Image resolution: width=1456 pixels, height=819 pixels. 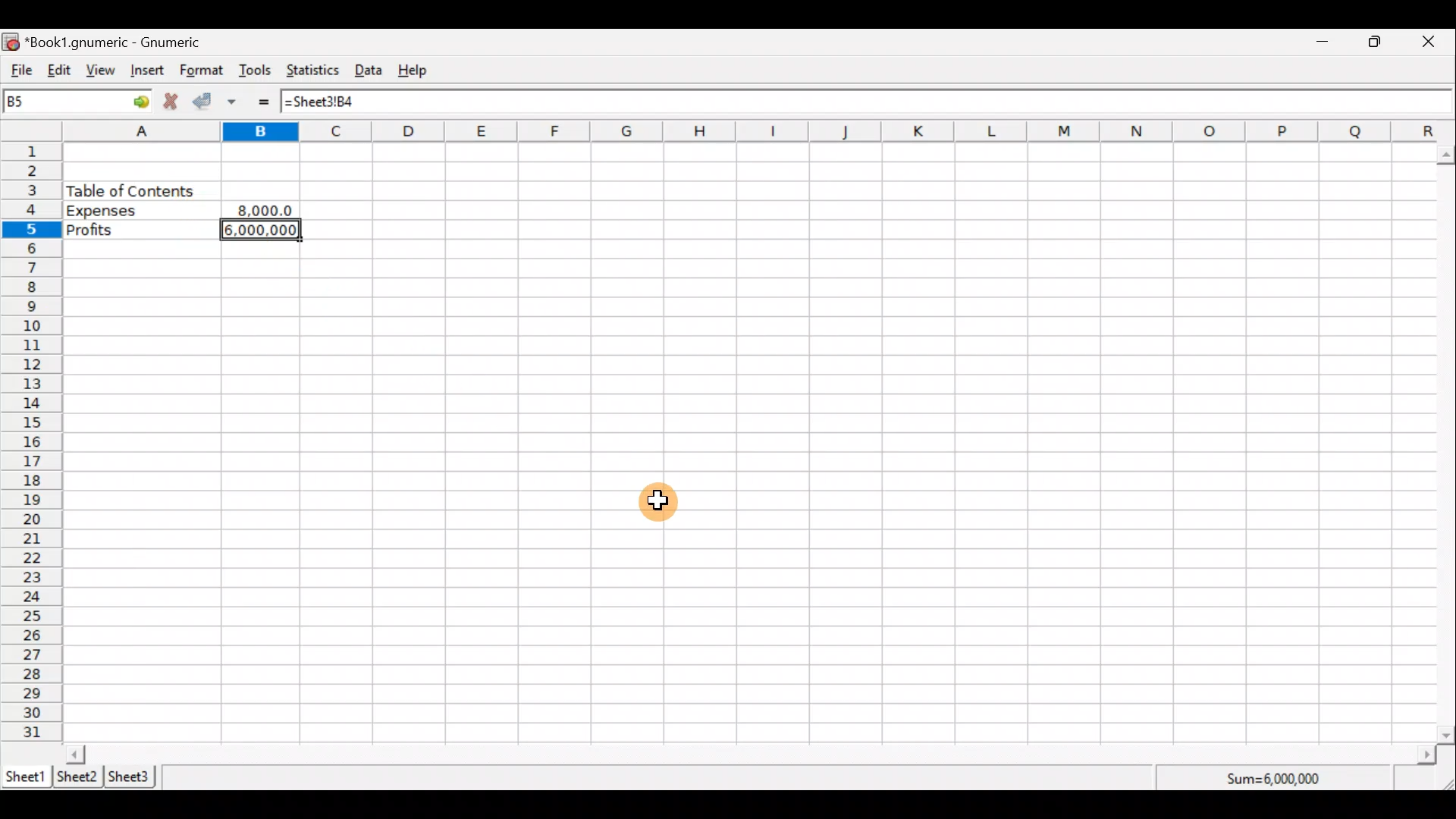 I want to click on alphabets row, so click(x=737, y=132).